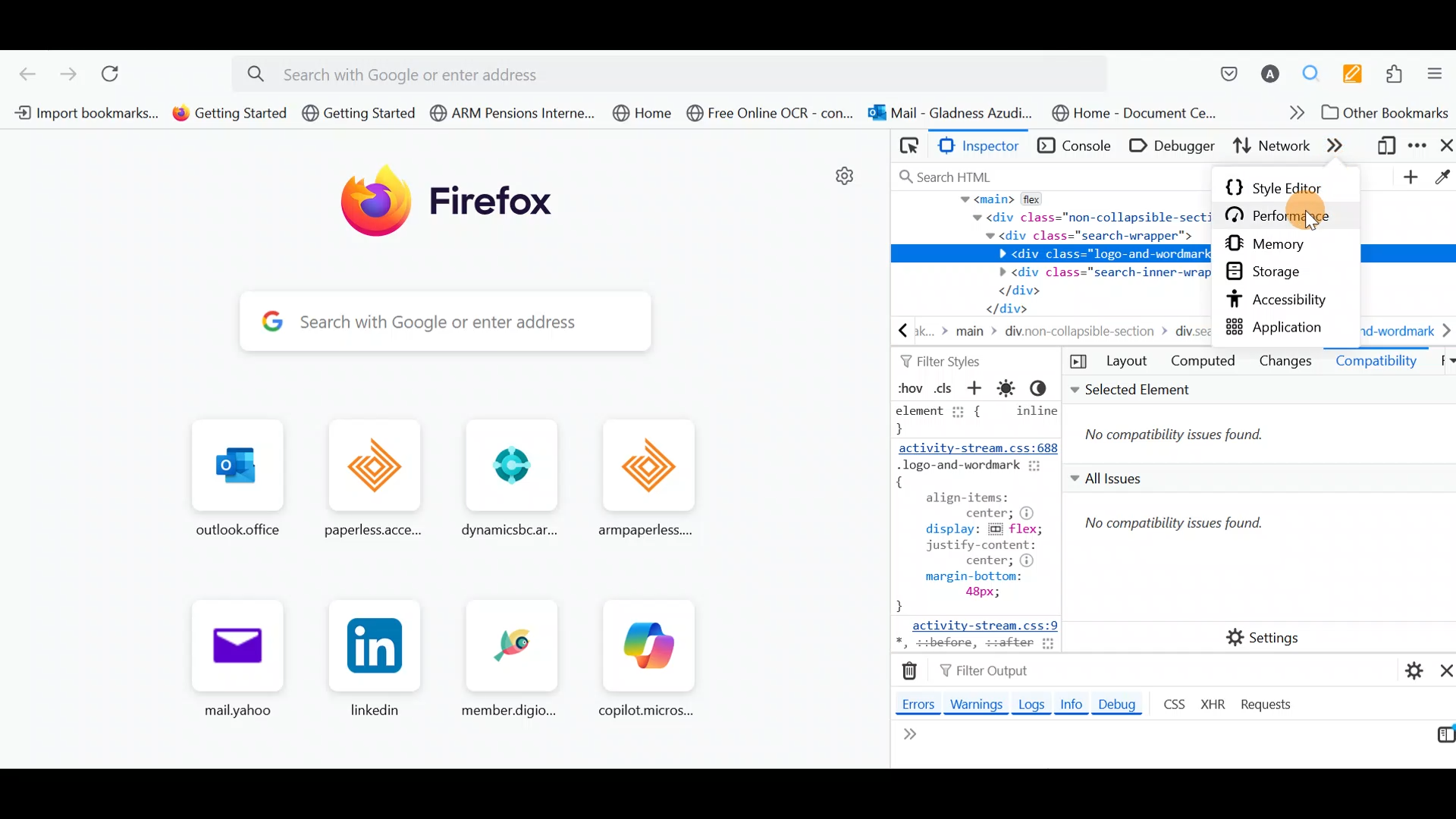 The image size is (1456, 819). What do you see at coordinates (977, 391) in the screenshot?
I see `Add new rule` at bounding box center [977, 391].